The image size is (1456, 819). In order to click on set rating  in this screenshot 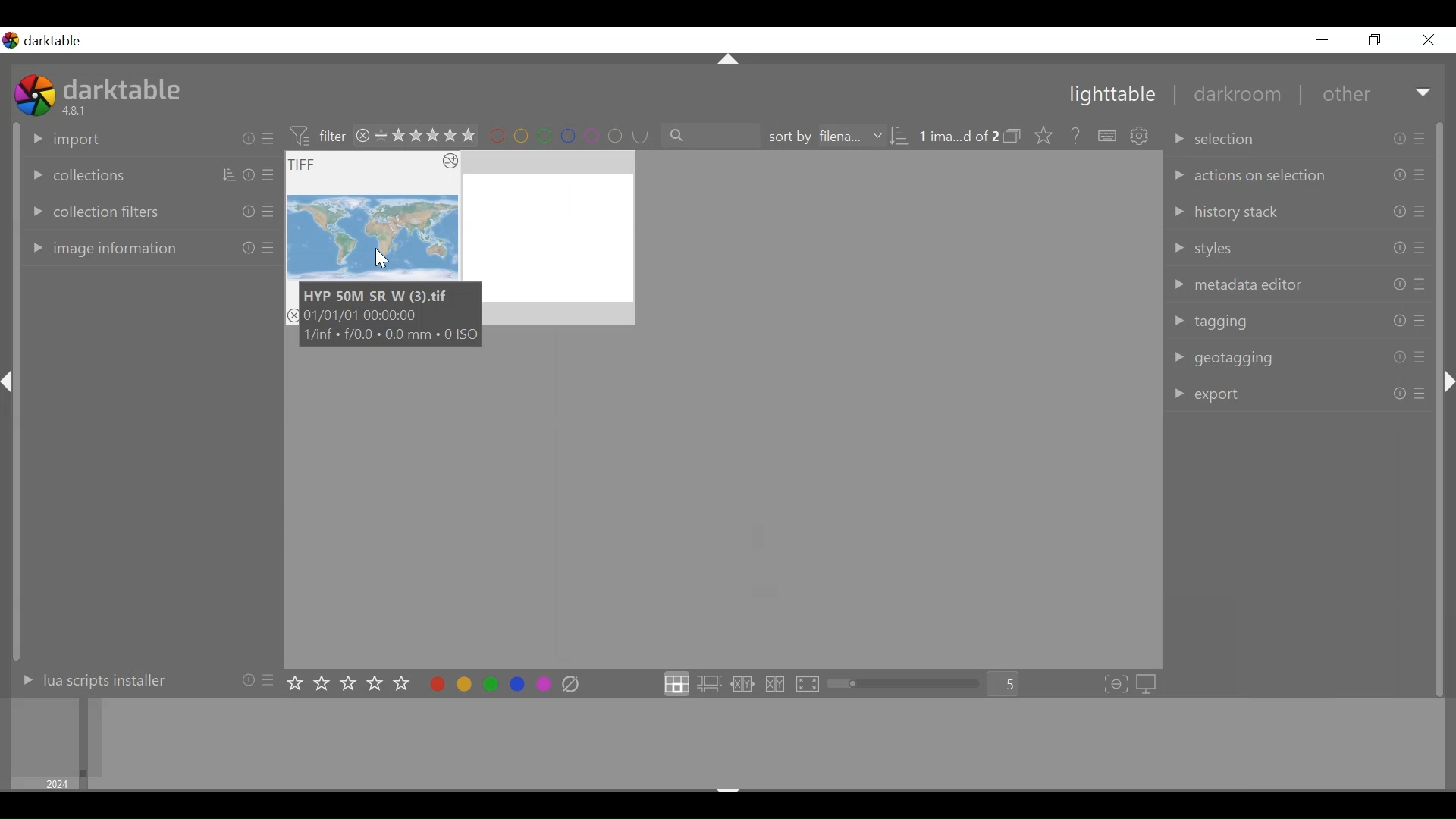, I will do `click(350, 684)`.